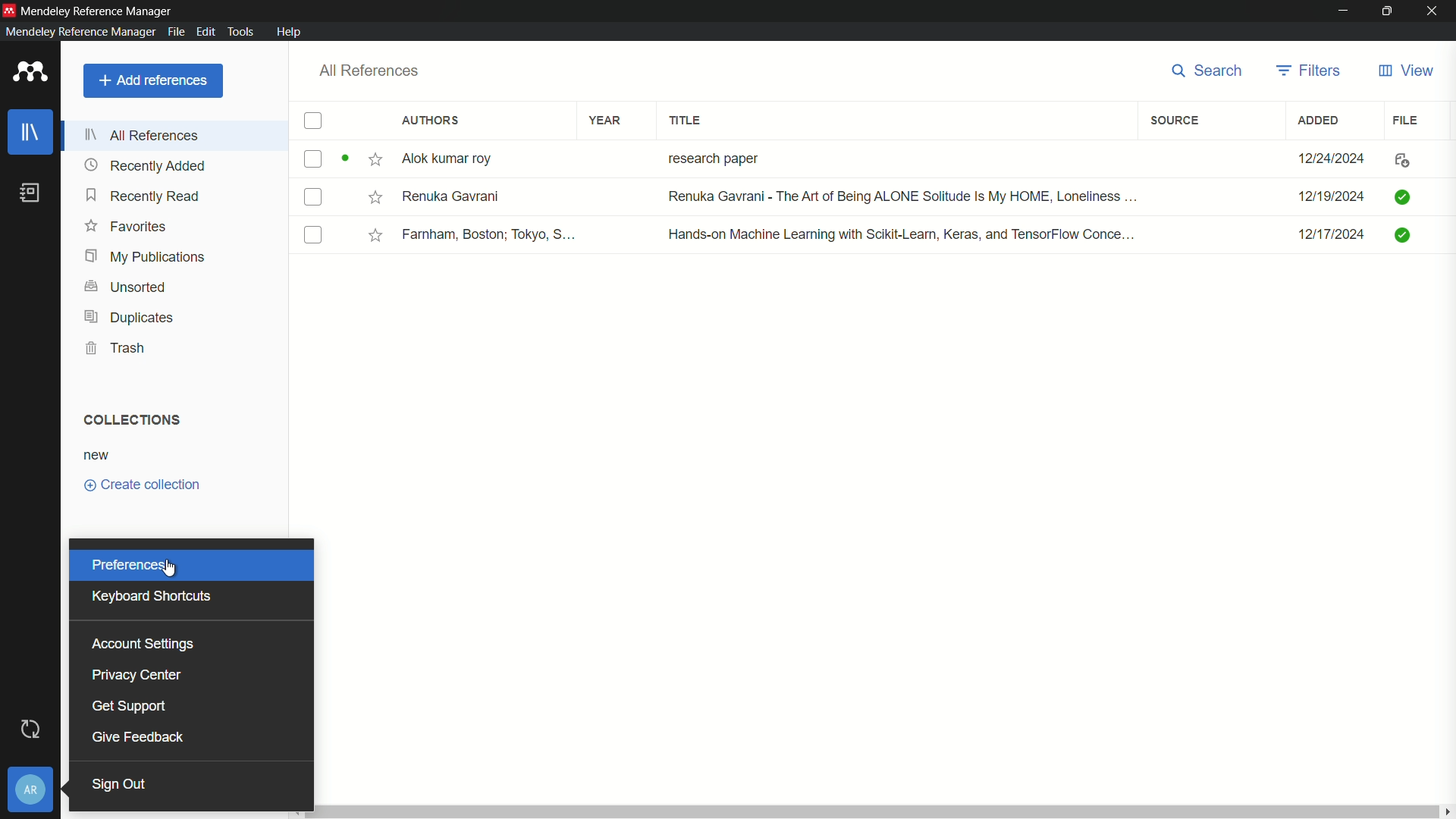 The width and height of the screenshot is (1456, 819). Describe the element at coordinates (371, 160) in the screenshot. I see `favourite` at that location.